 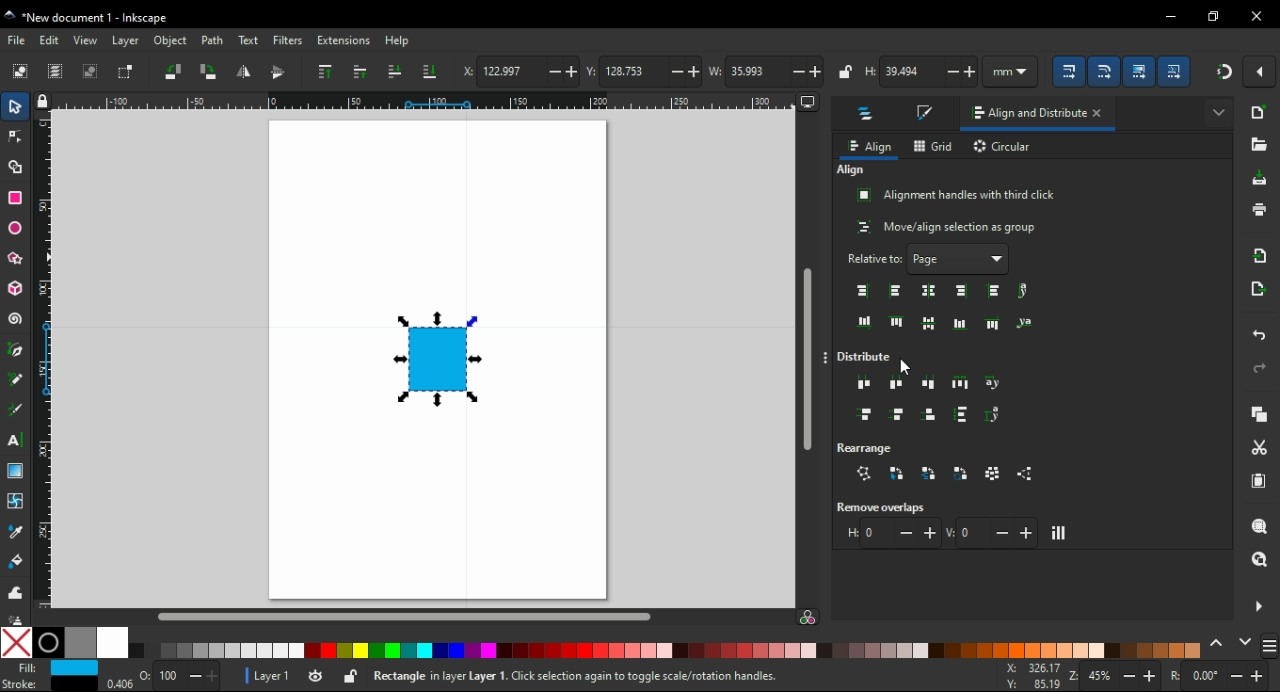 I want to click on show, so click(x=1218, y=110).